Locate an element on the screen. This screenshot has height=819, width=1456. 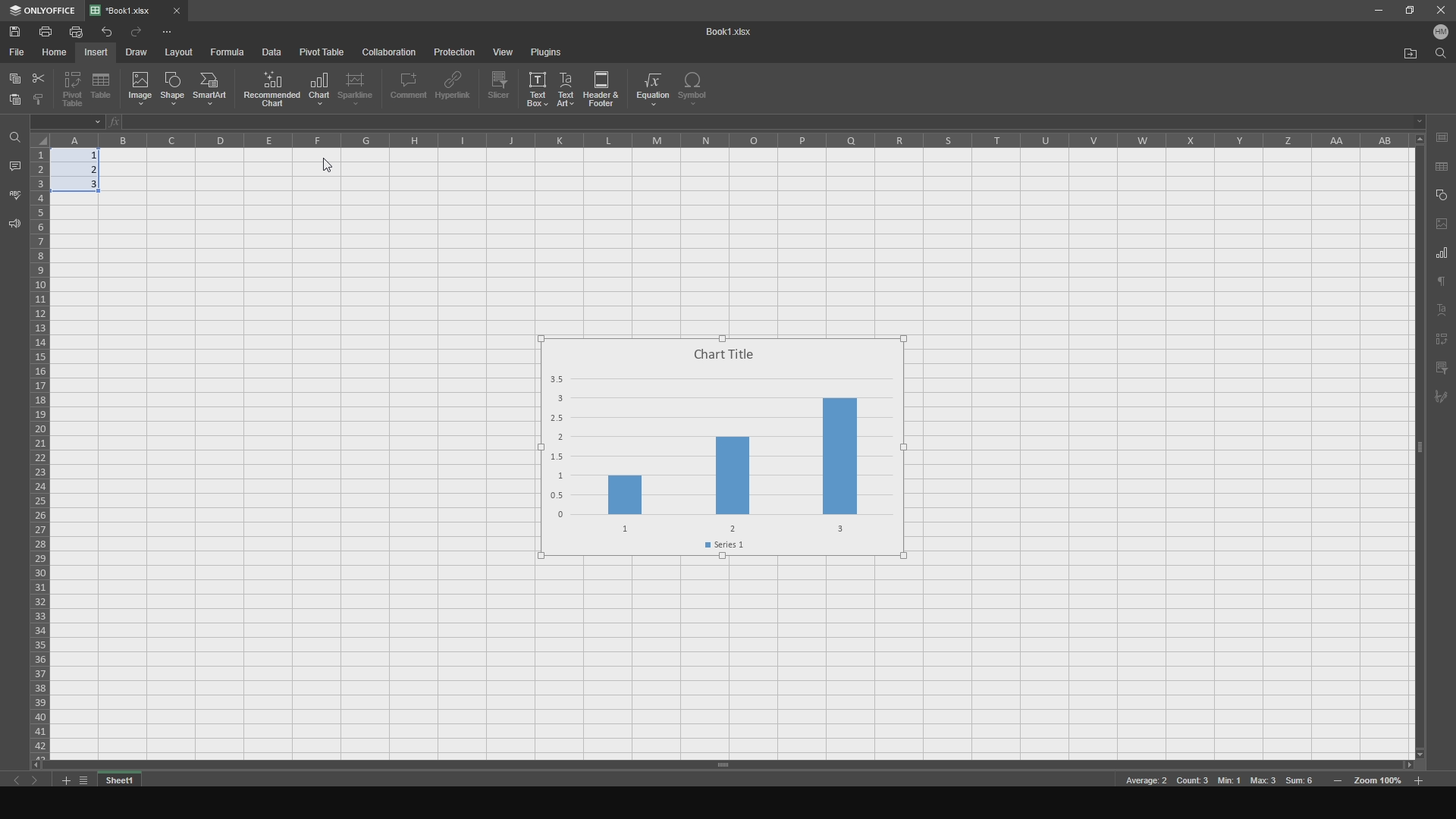
find is located at coordinates (14, 138).